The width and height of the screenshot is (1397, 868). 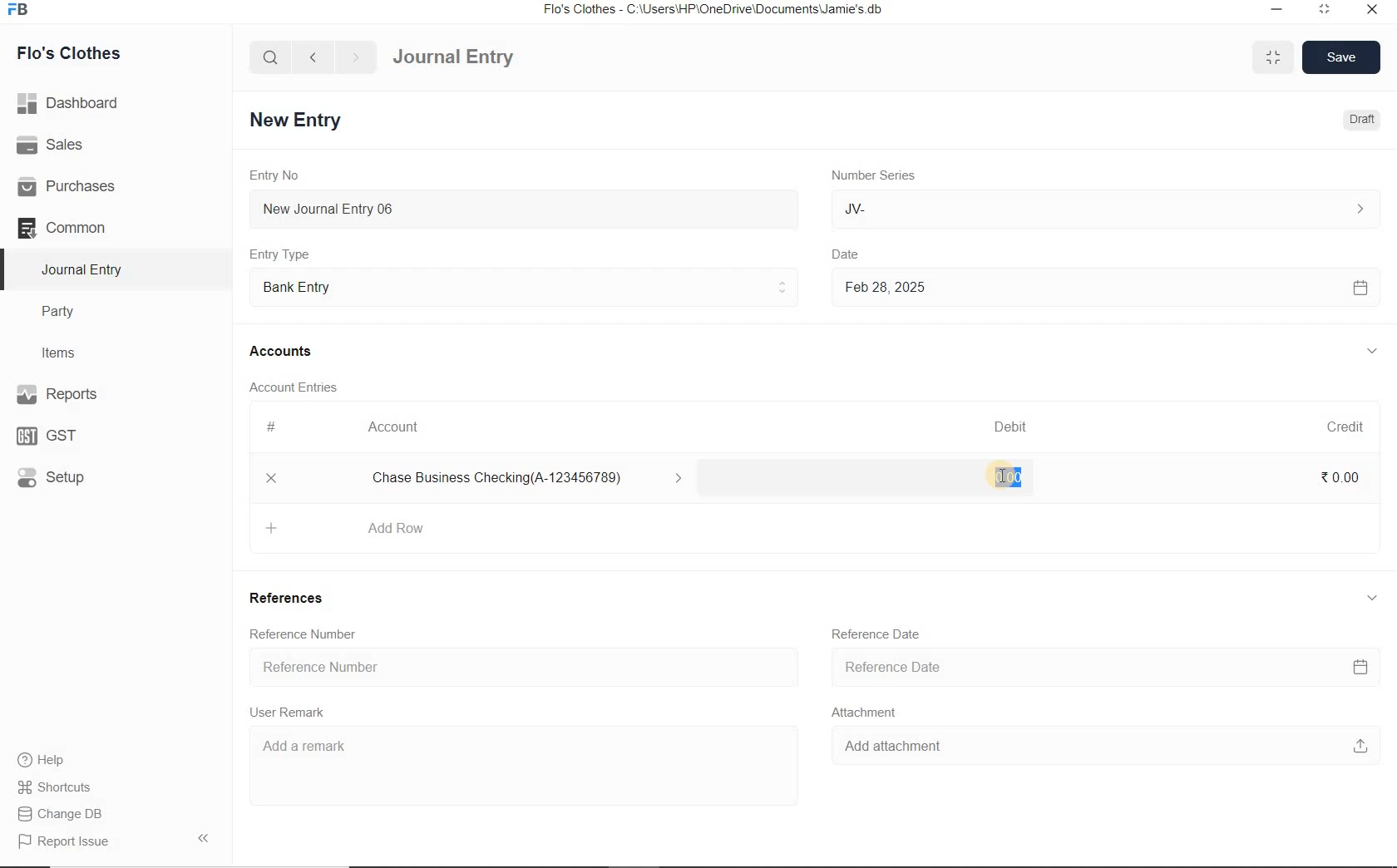 What do you see at coordinates (534, 479) in the screenshot?
I see `Chase Business Checking(A-123456789)` at bounding box center [534, 479].